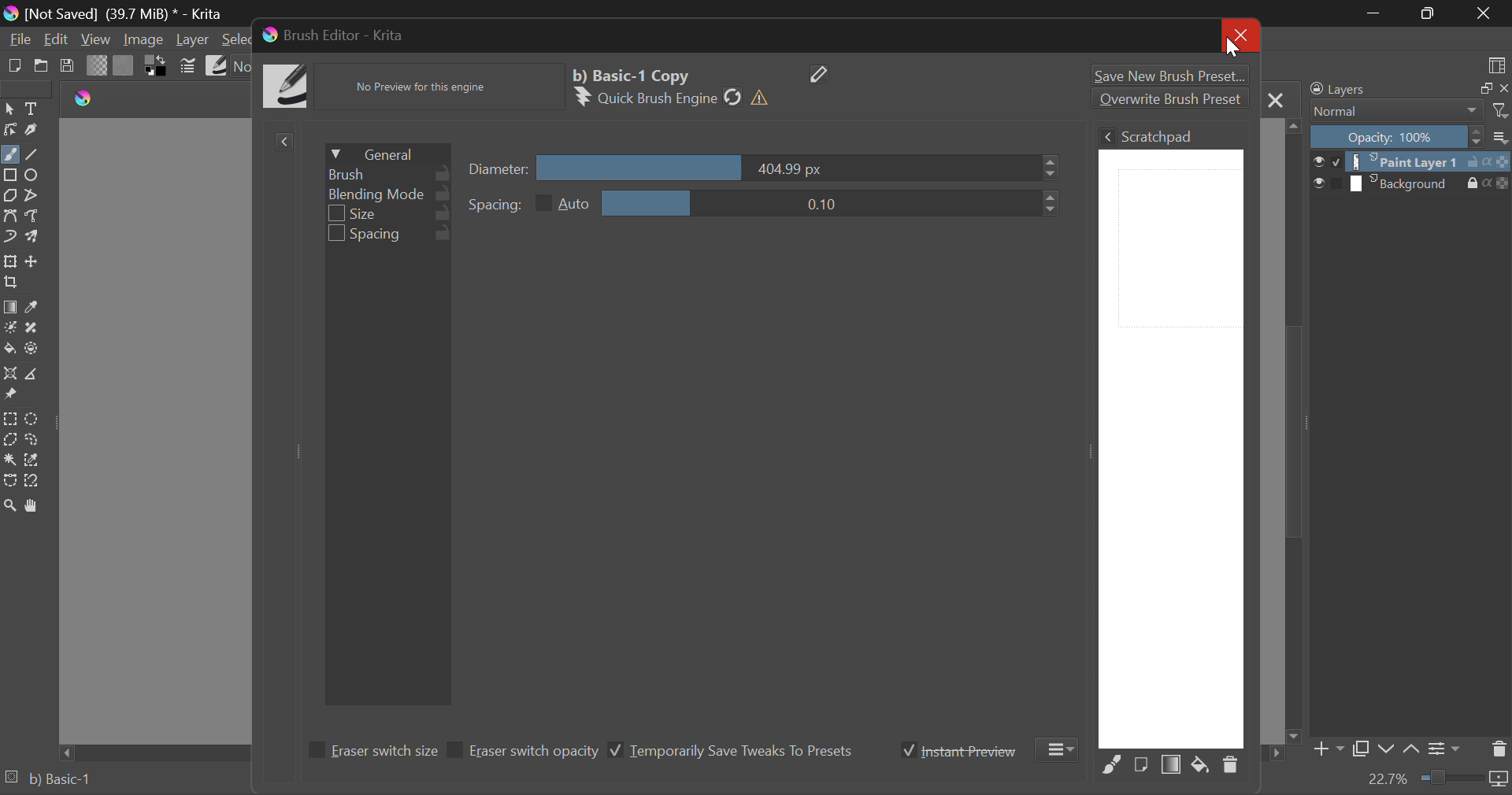 This screenshot has height=795, width=1512. I want to click on Spacing, so click(389, 235).